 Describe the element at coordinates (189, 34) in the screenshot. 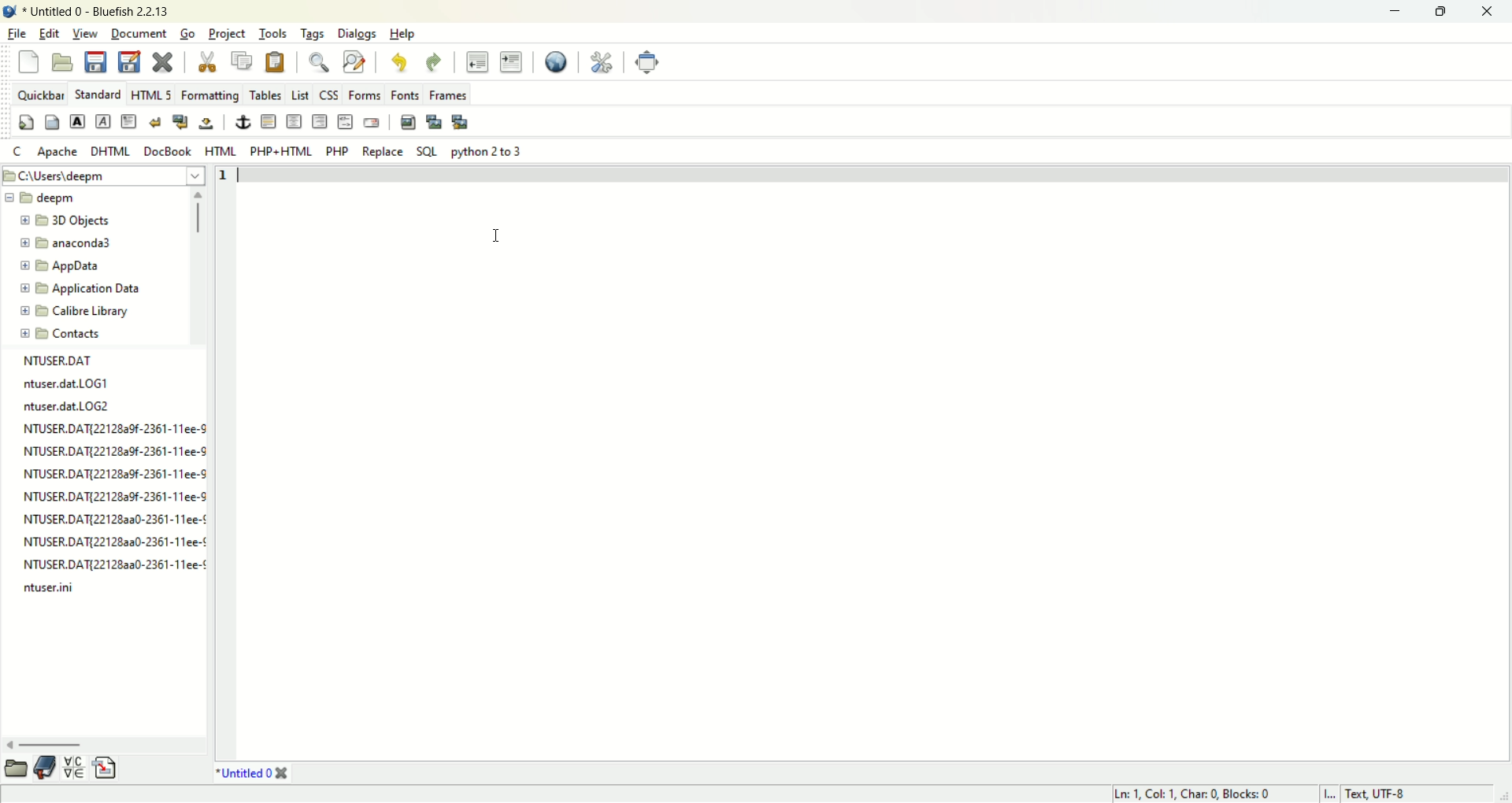

I see `go` at that location.